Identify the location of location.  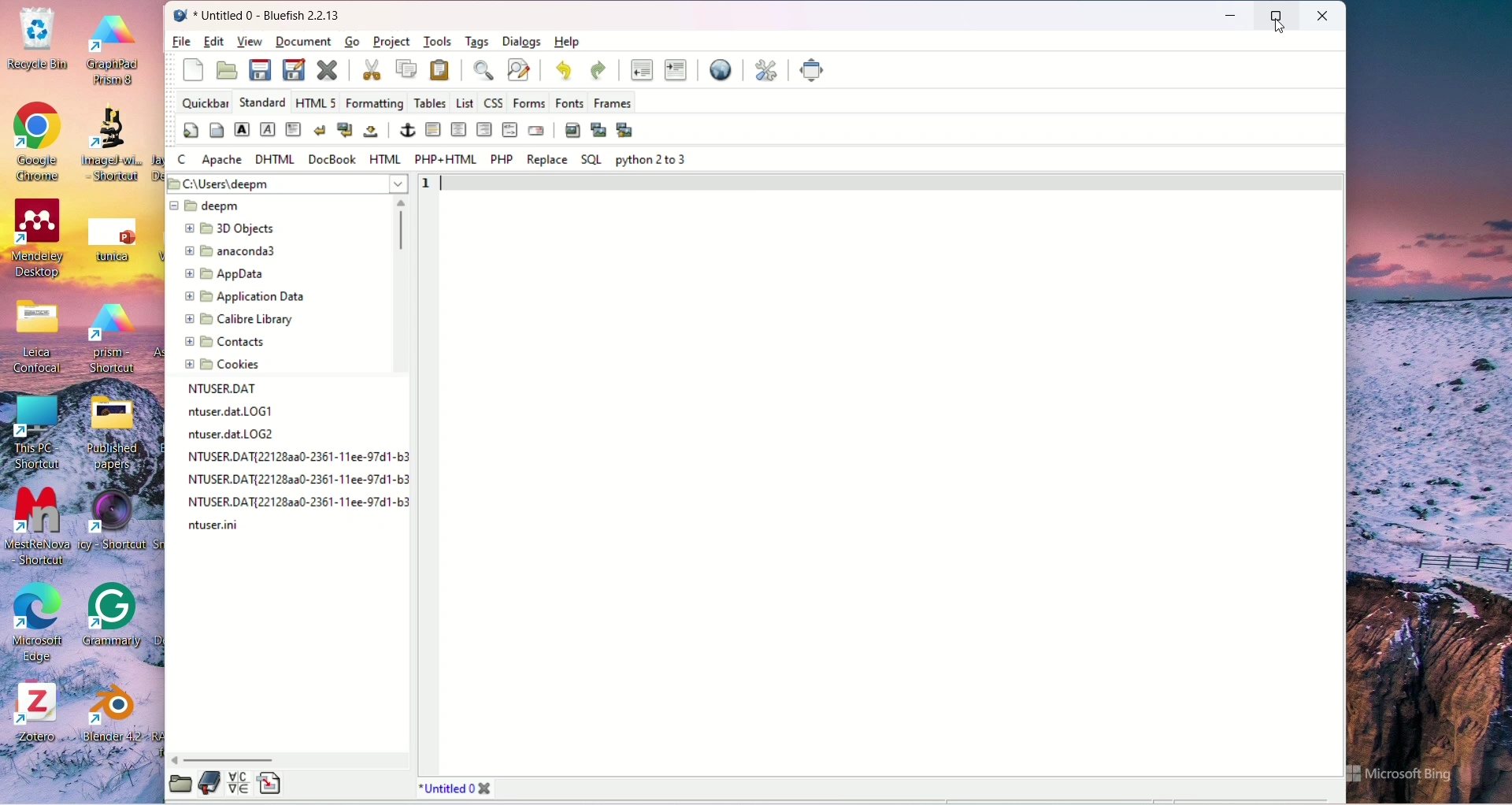
(287, 182).